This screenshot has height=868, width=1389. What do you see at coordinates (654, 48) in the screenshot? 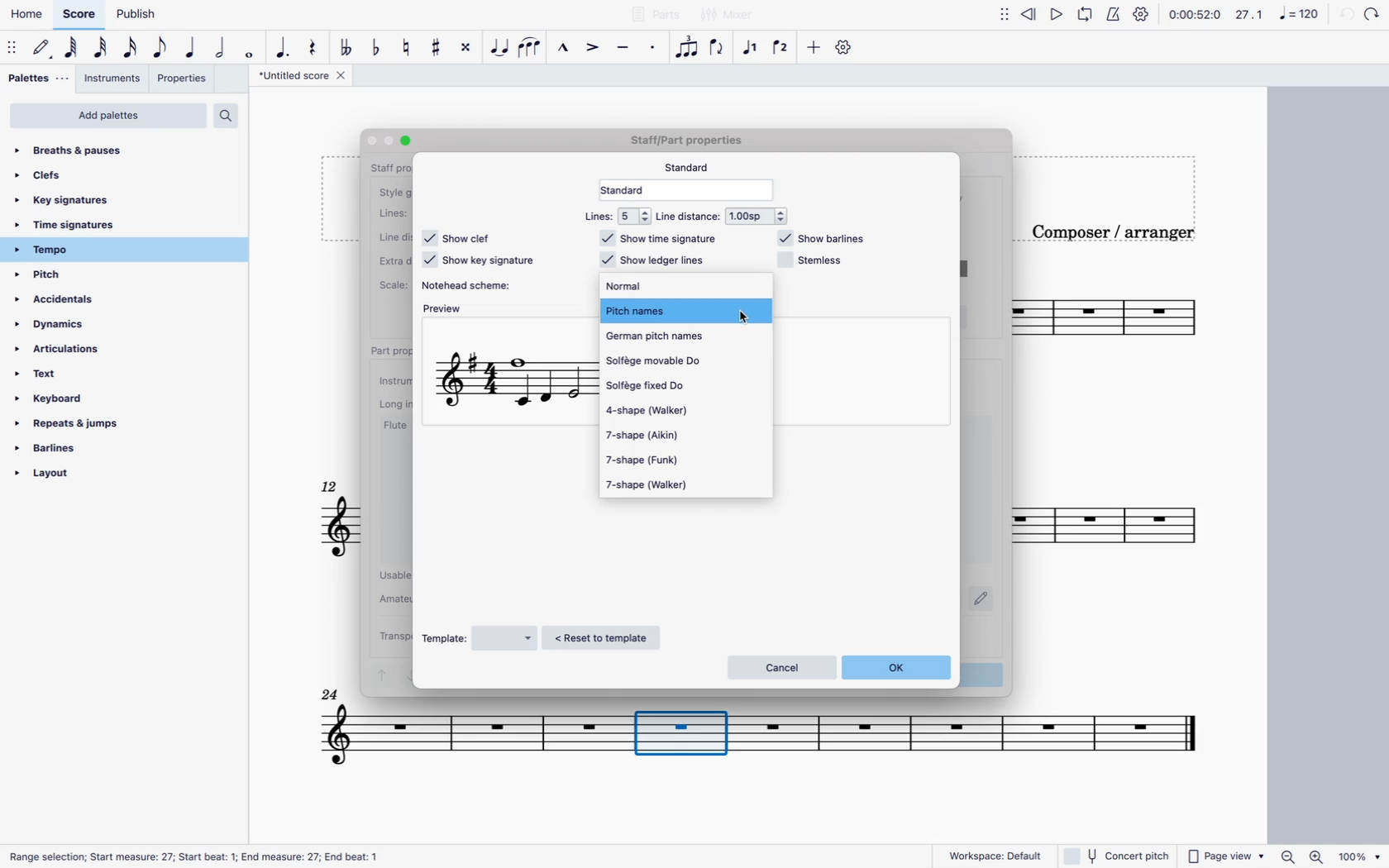
I see `staccato` at bounding box center [654, 48].